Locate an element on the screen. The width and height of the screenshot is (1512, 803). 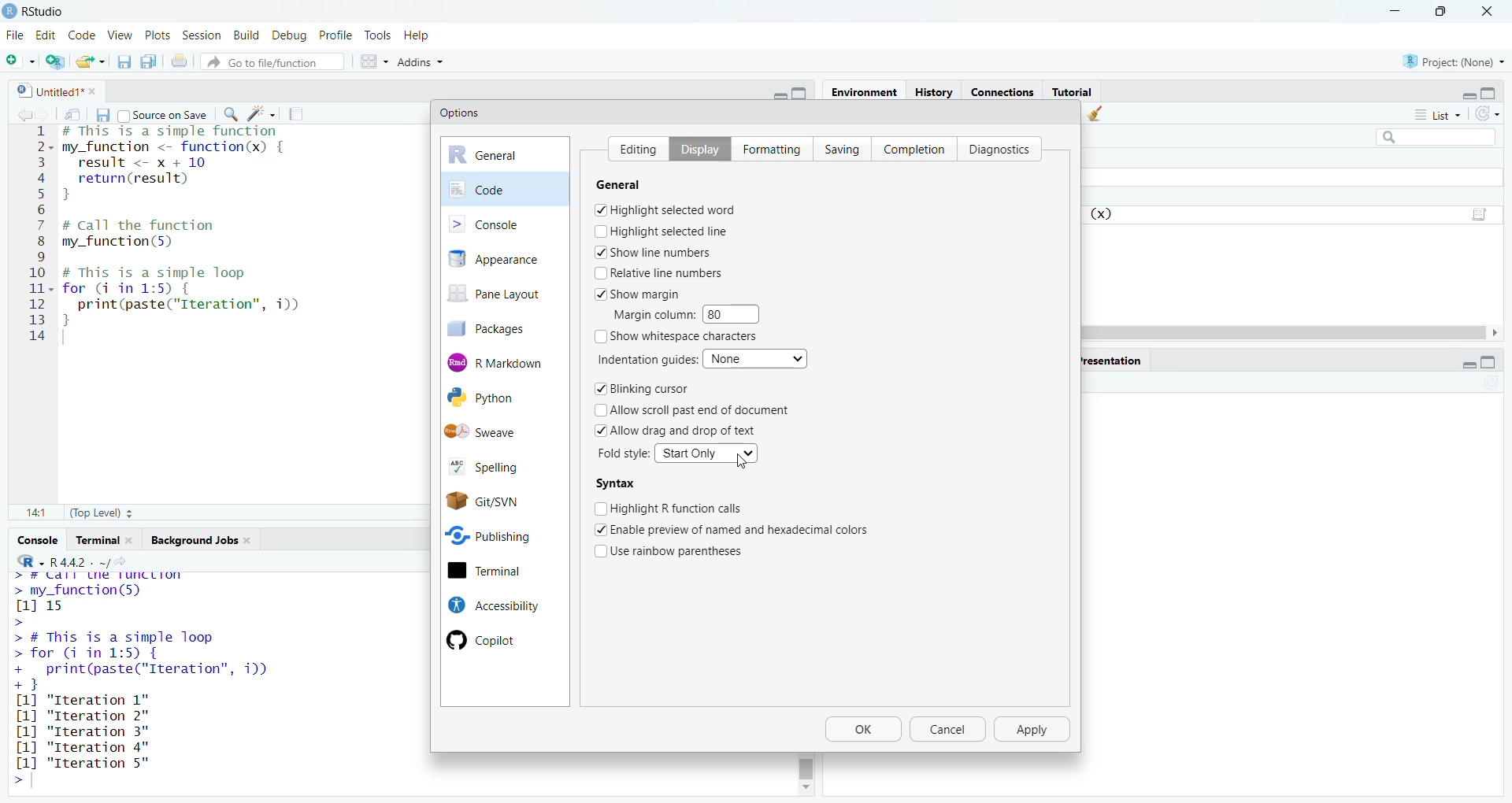
save current document is located at coordinates (102, 113).